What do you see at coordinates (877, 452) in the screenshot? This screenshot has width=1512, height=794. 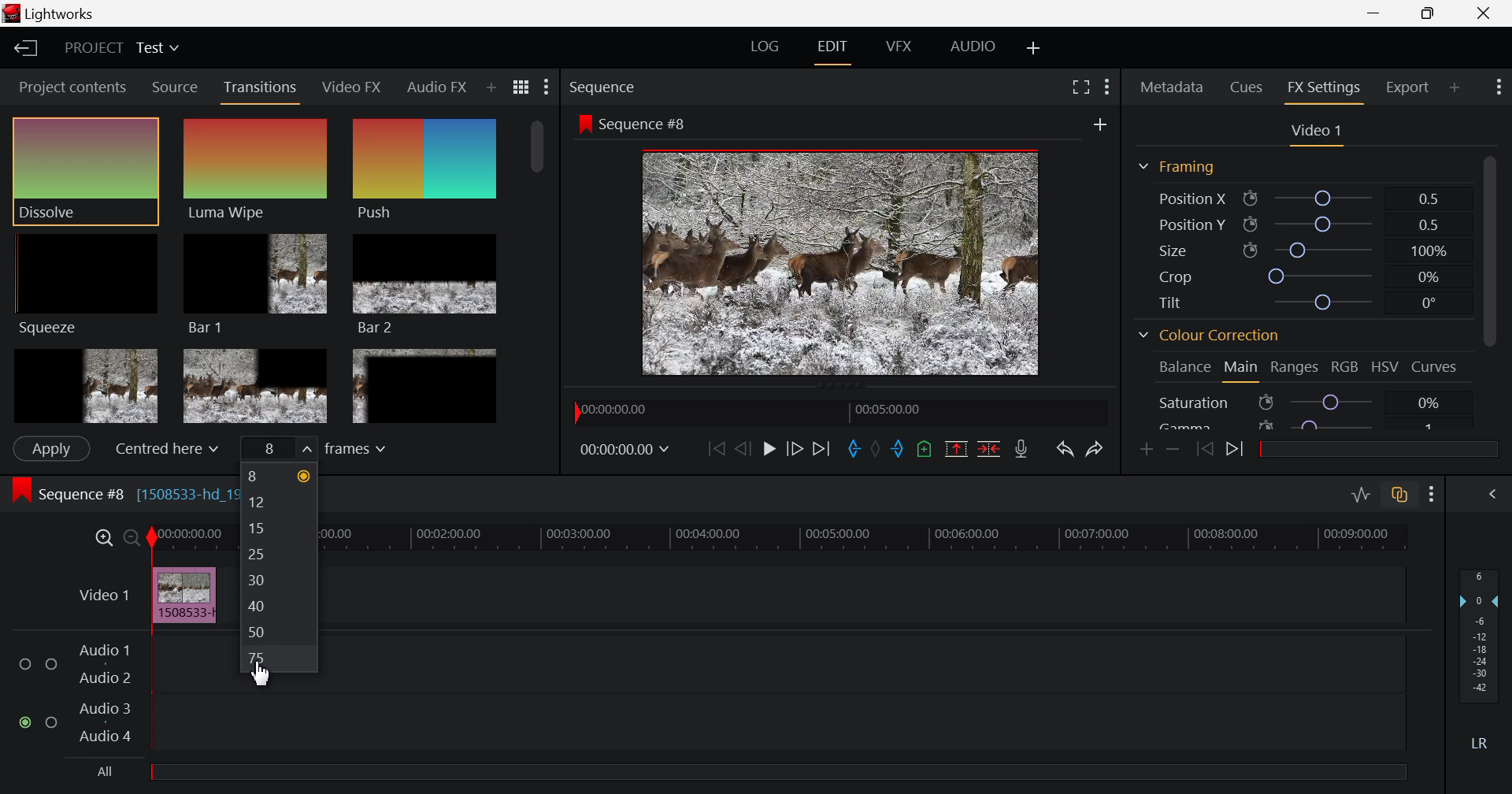 I see `Remove all marks` at bounding box center [877, 452].